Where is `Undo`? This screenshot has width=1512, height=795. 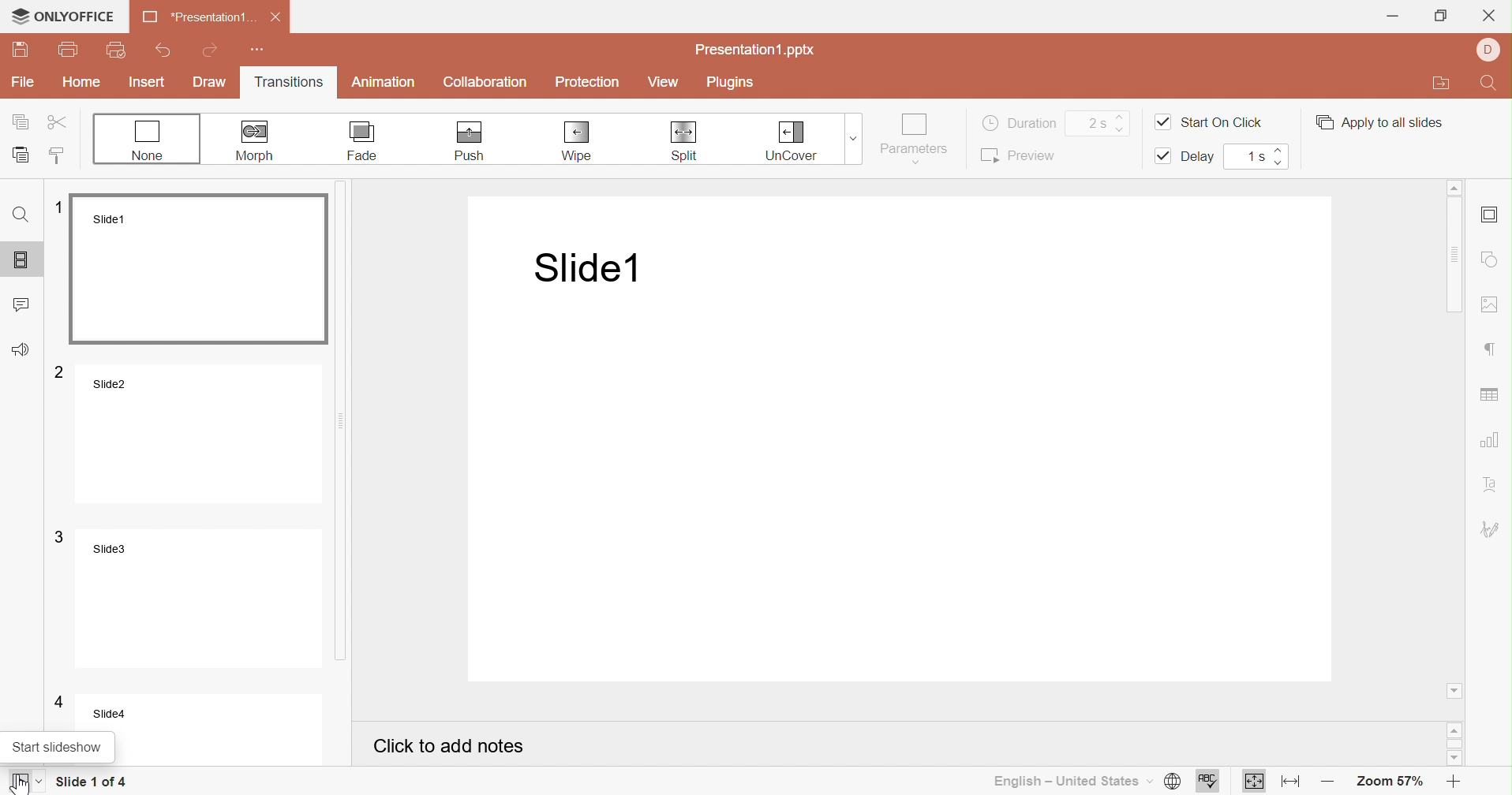
Undo is located at coordinates (162, 51).